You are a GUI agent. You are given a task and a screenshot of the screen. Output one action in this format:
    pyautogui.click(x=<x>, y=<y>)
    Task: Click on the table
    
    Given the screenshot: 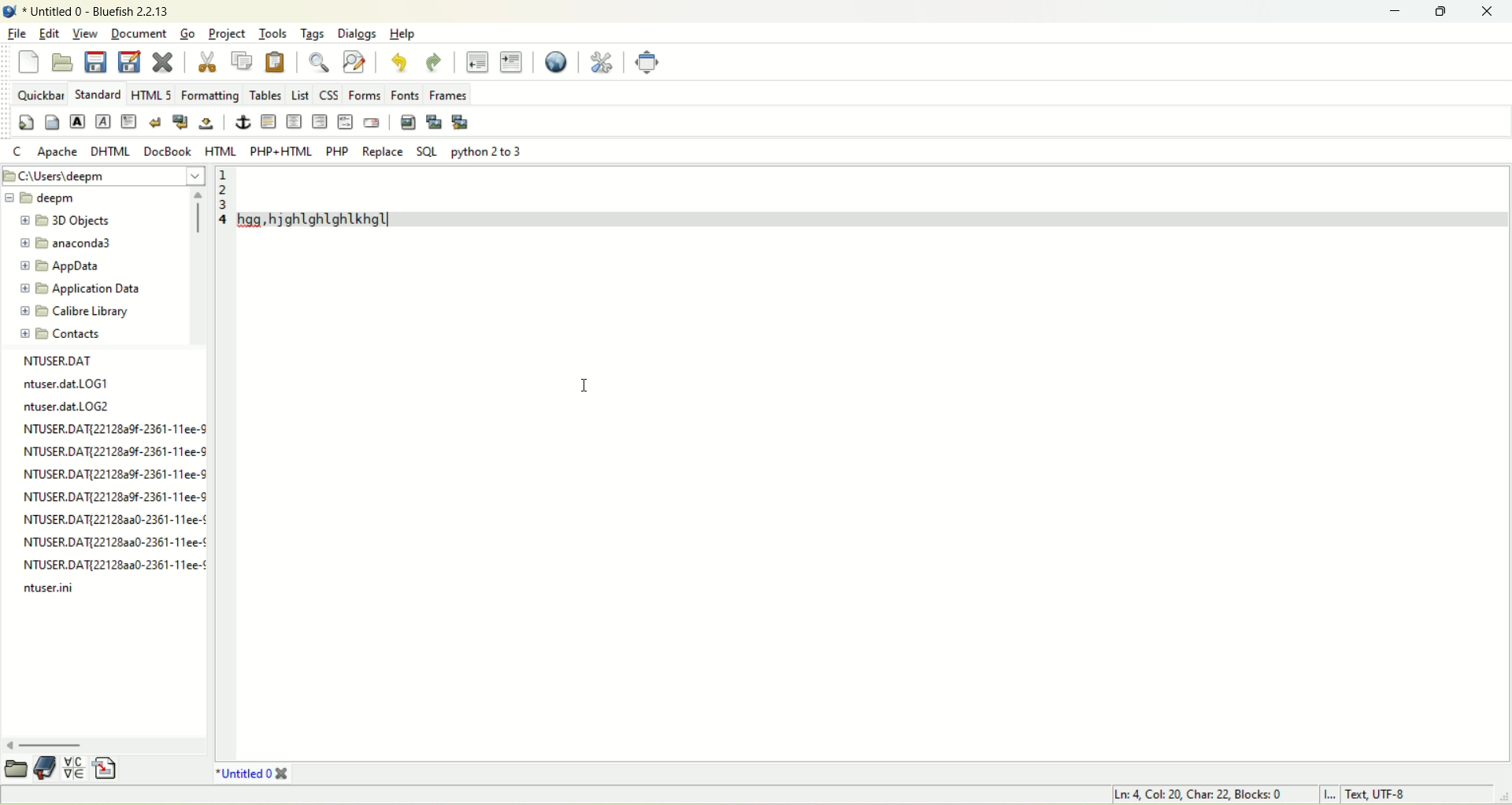 What is the action you would take?
    pyautogui.click(x=264, y=95)
    